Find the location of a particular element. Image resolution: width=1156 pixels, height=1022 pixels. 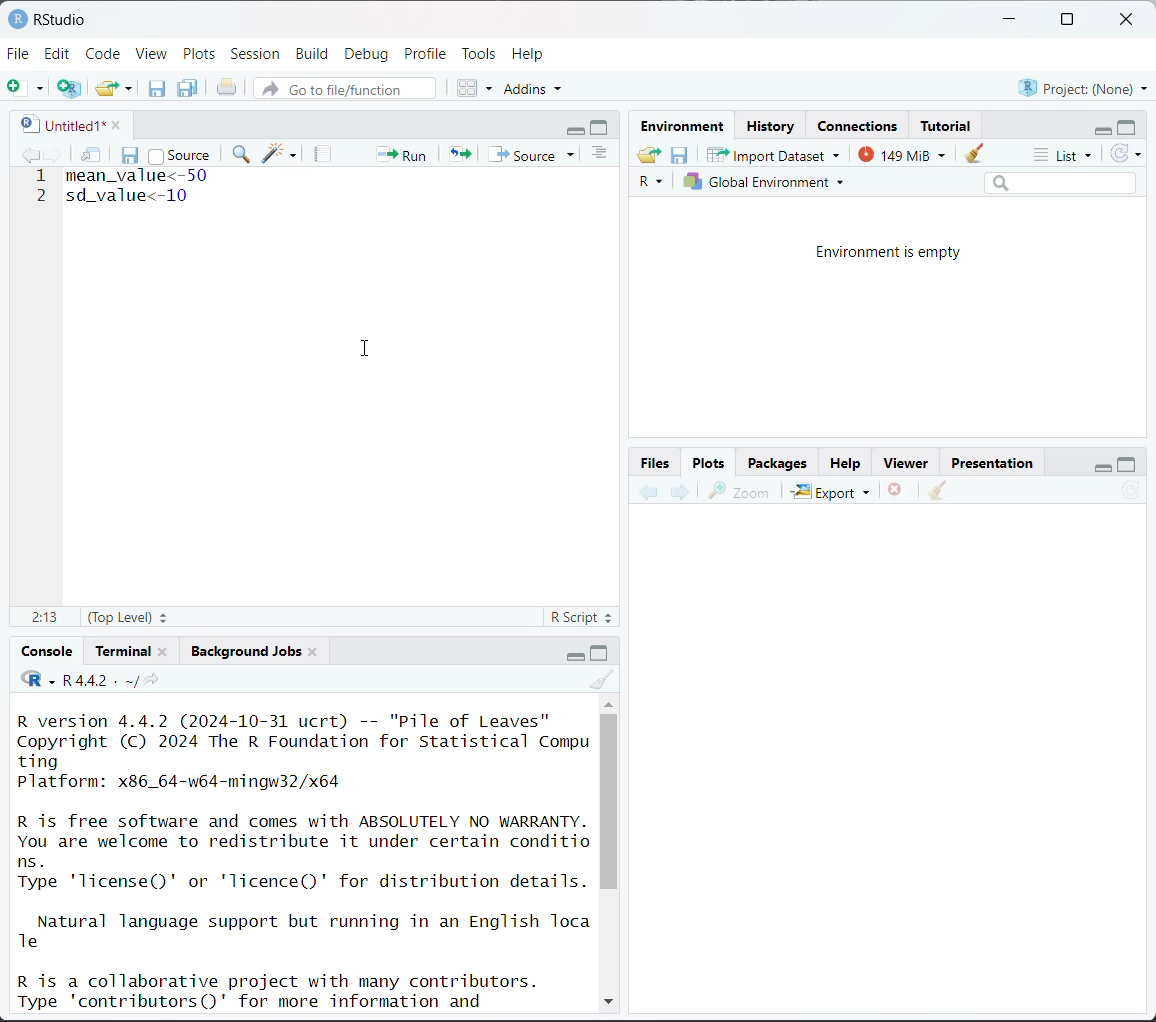

Project:(None) is located at coordinates (1082, 86).